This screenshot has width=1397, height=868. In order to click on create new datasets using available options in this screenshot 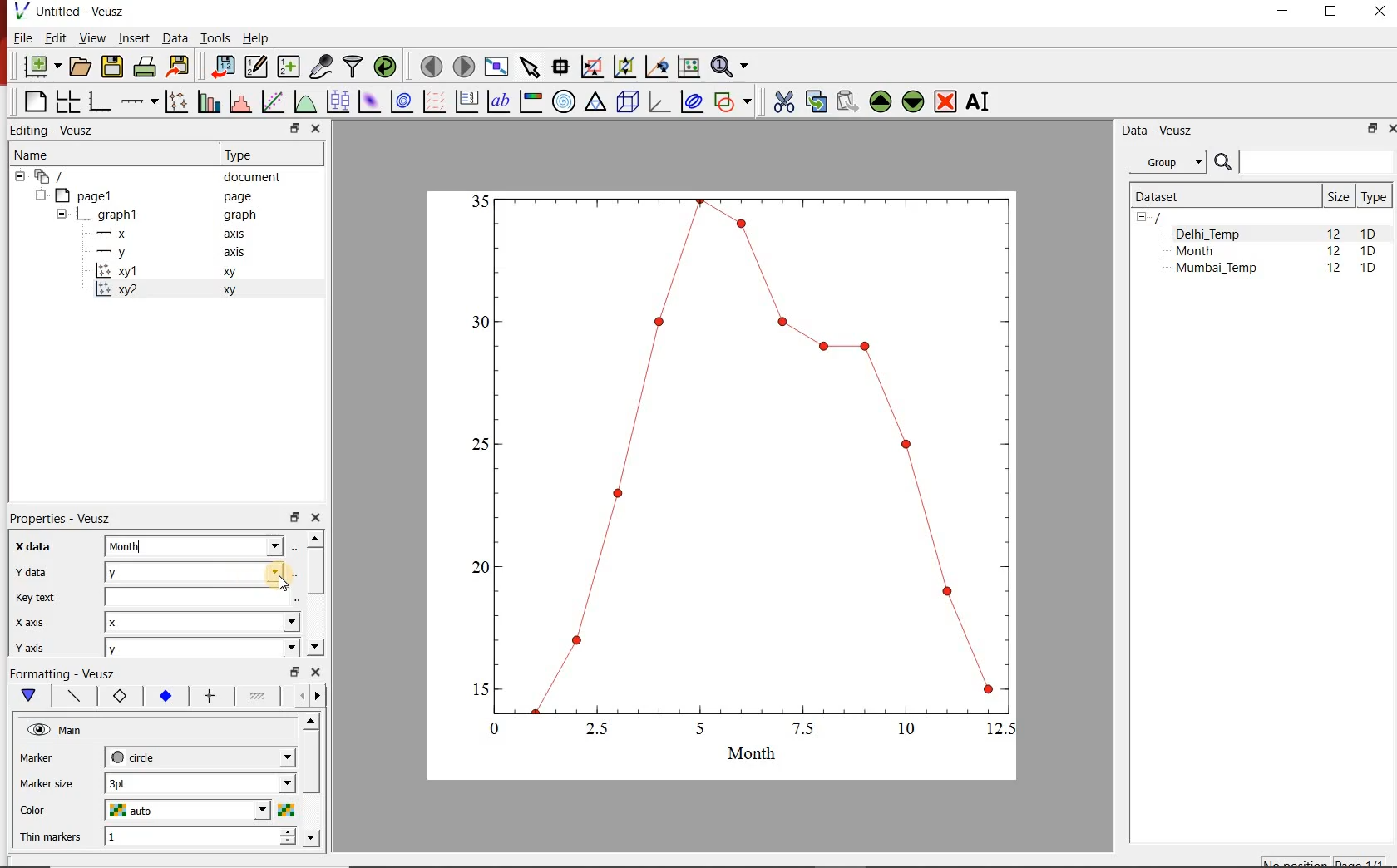, I will do `click(289, 67)`.